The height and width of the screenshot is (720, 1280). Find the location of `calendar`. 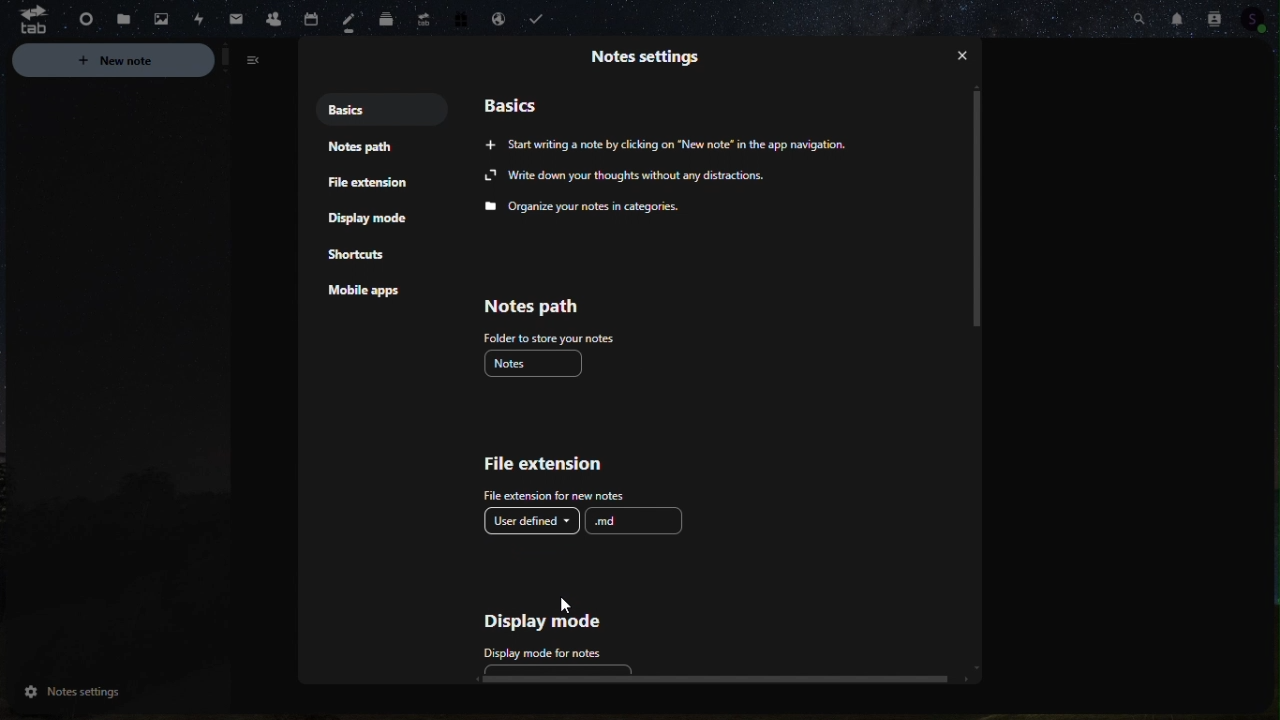

calendar is located at coordinates (310, 14).